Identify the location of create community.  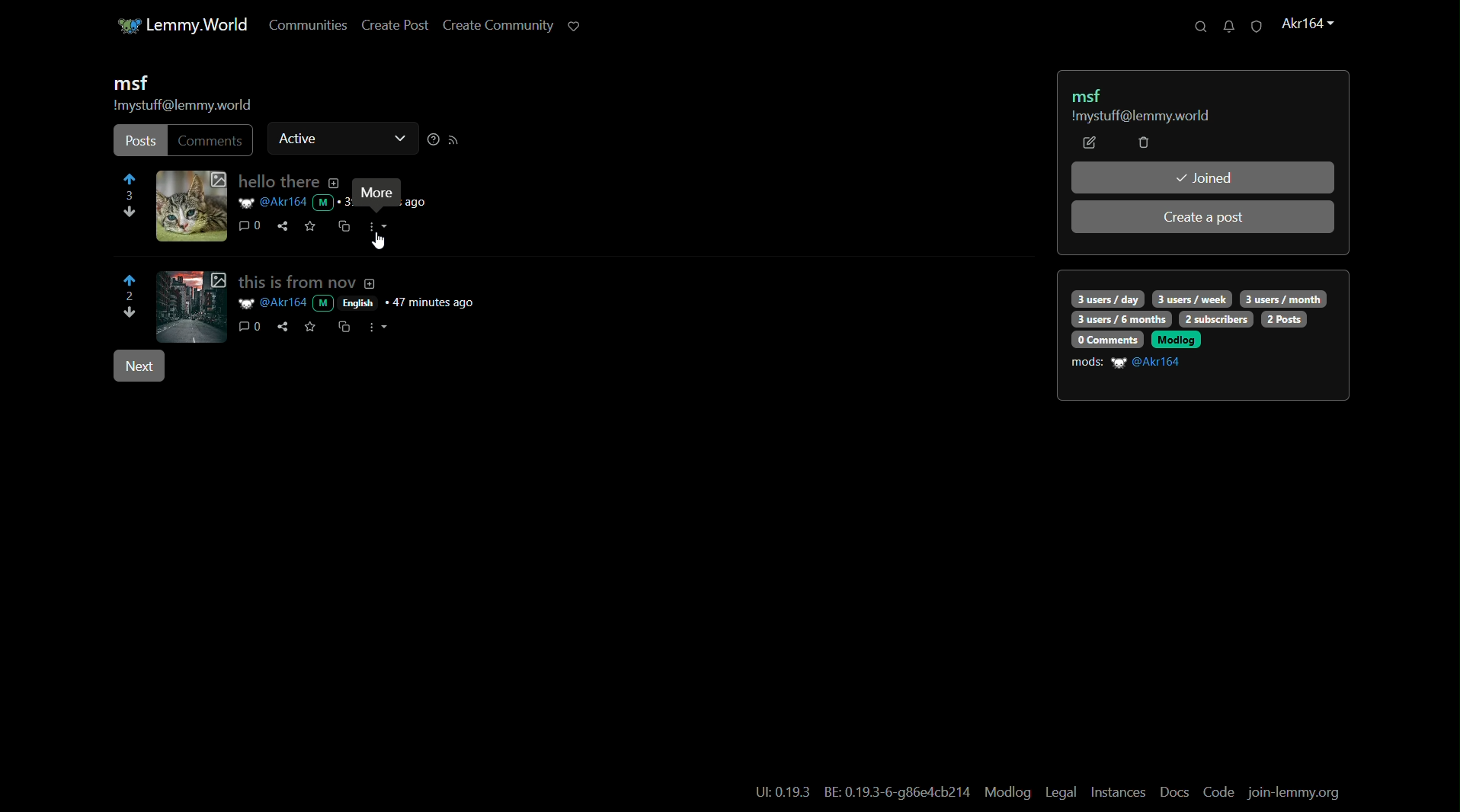
(493, 27).